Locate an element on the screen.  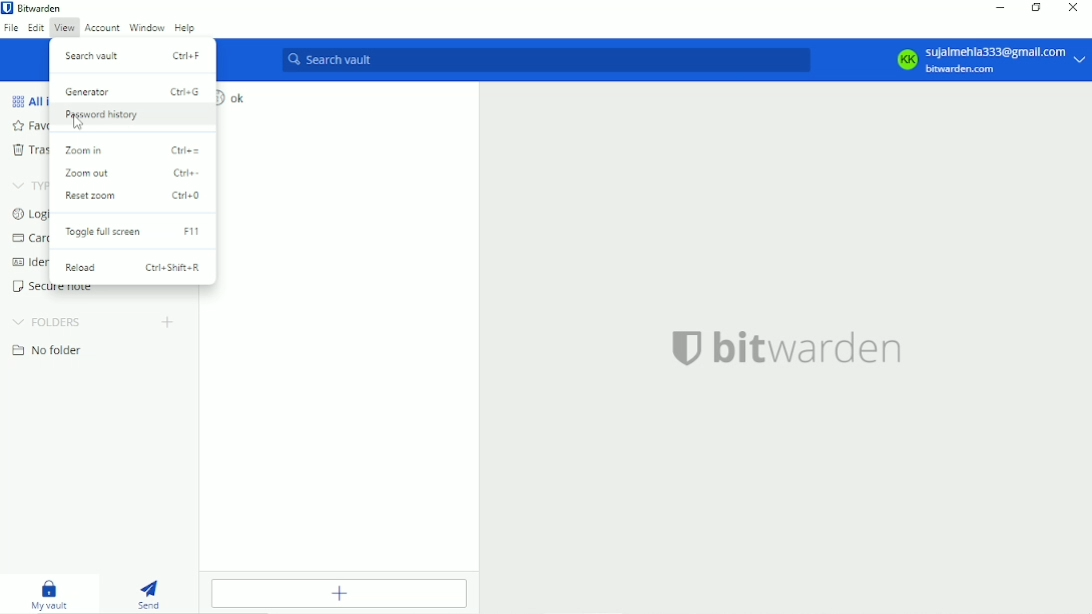
Toggle full screen is located at coordinates (131, 232).